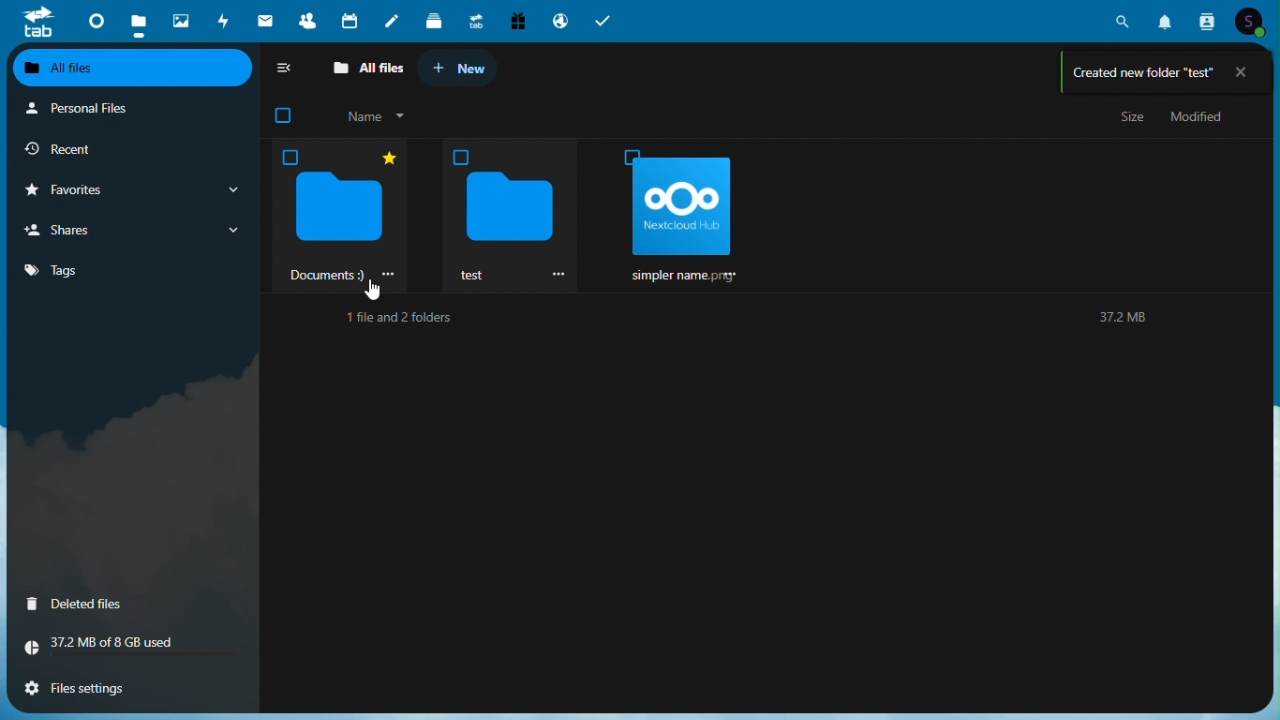 The image size is (1280, 720). Describe the element at coordinates (368, 120) in the screenshot. I see `Name ` at that location.